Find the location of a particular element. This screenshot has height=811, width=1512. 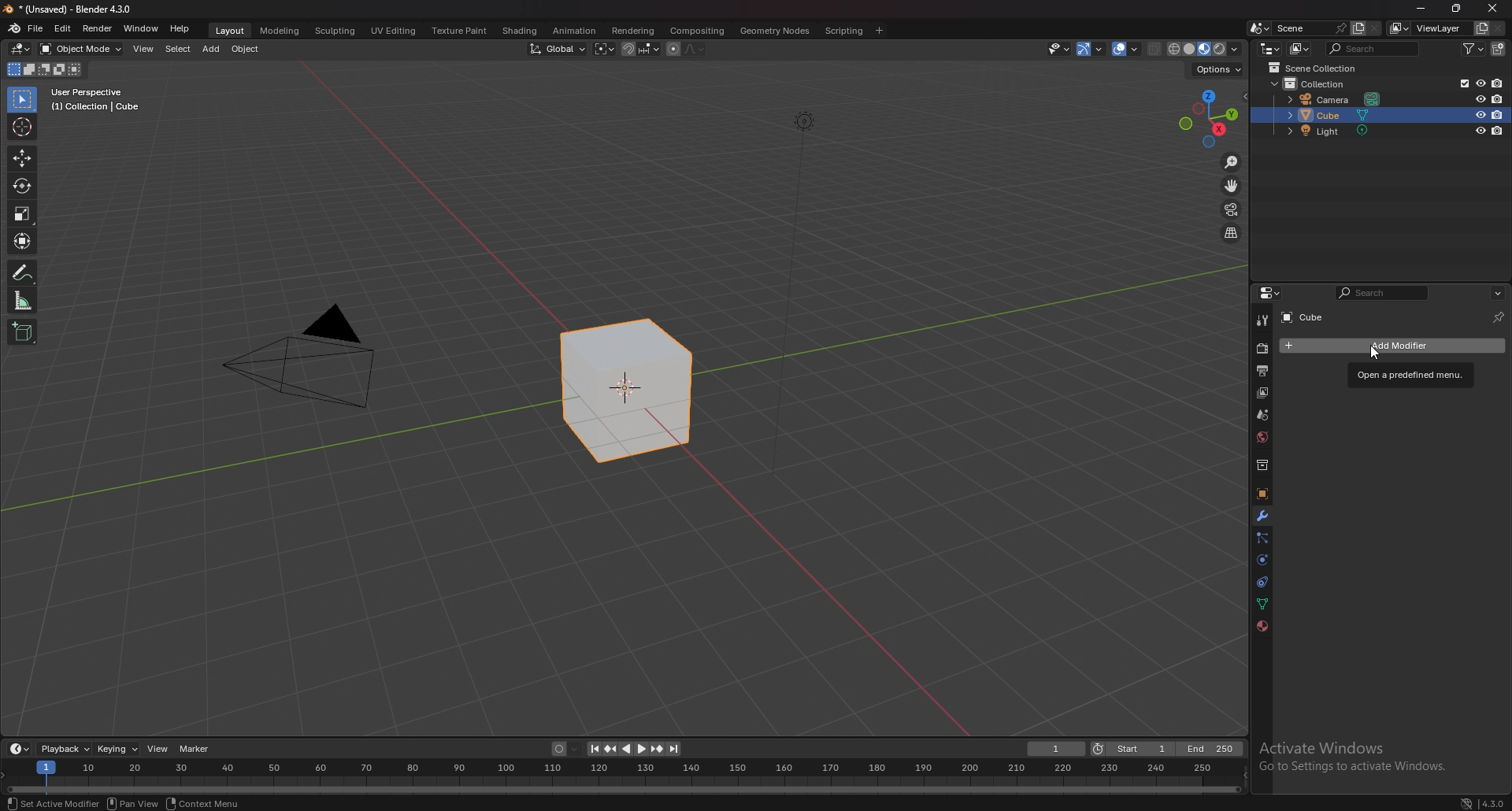

view is located at coordinates (145, 49).